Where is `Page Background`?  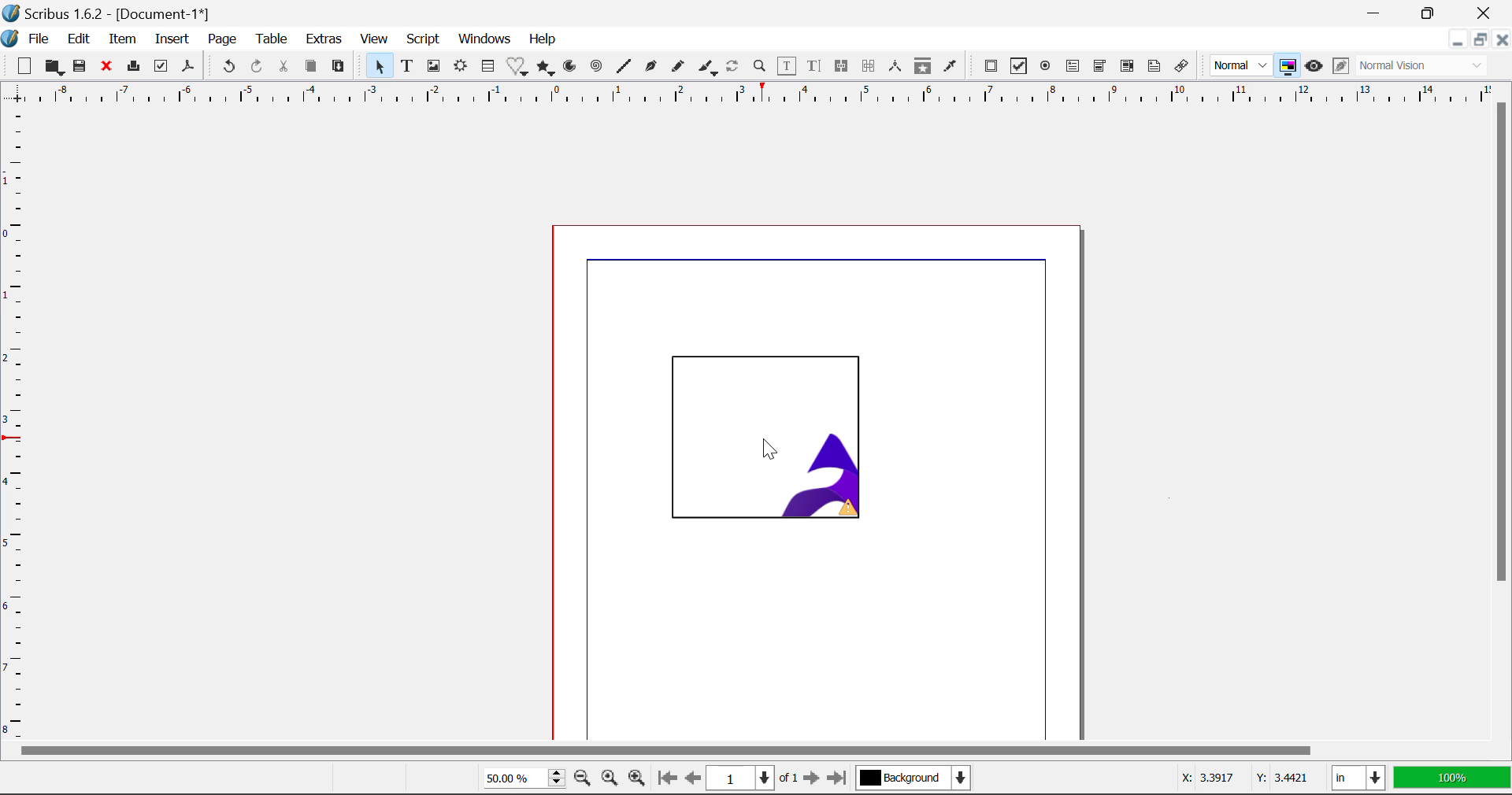
Page Background is located at coordinates (912, 775).